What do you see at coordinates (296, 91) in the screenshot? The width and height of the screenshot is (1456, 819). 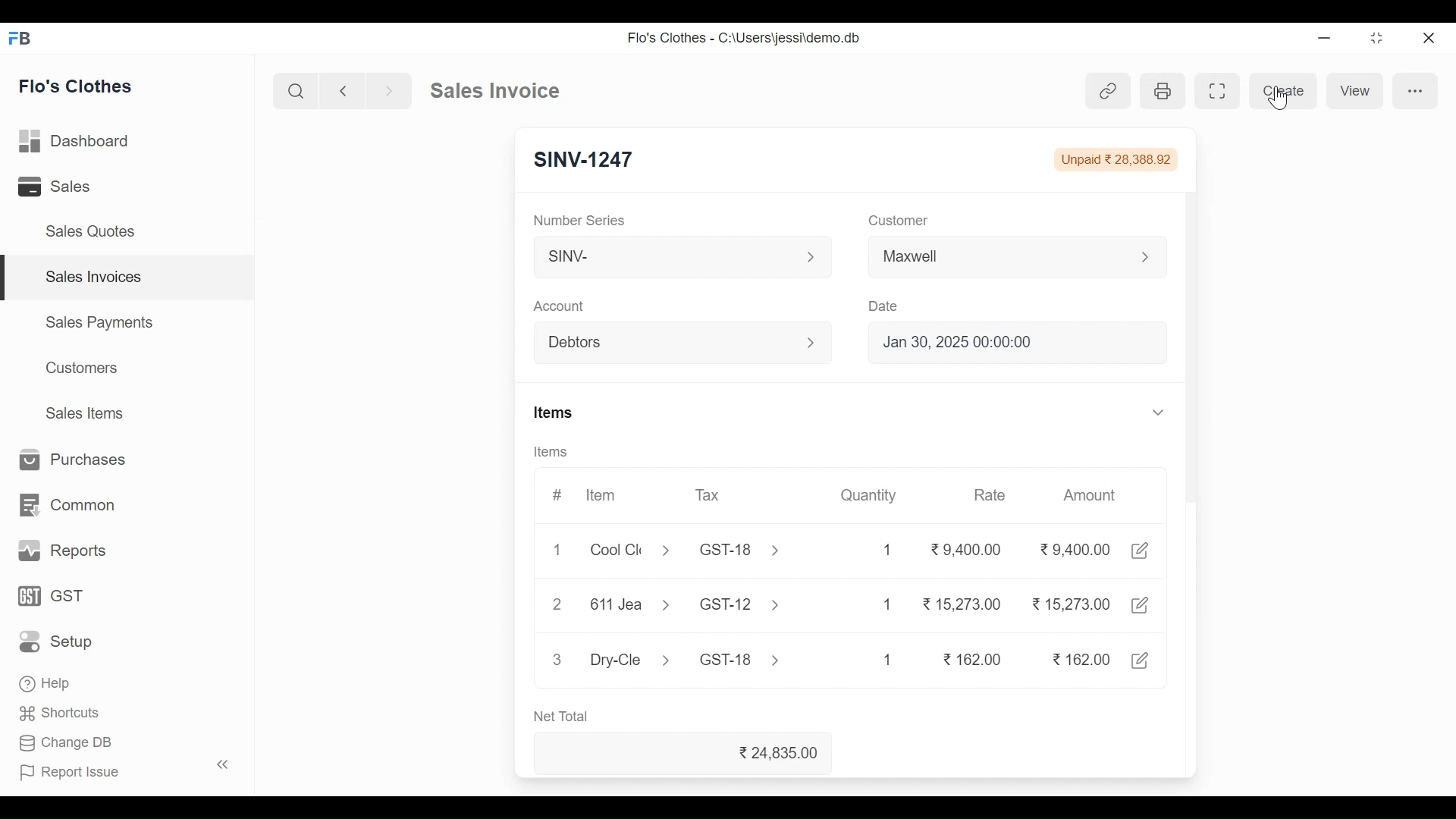 I see `Search` at bounding box center [296, 91].